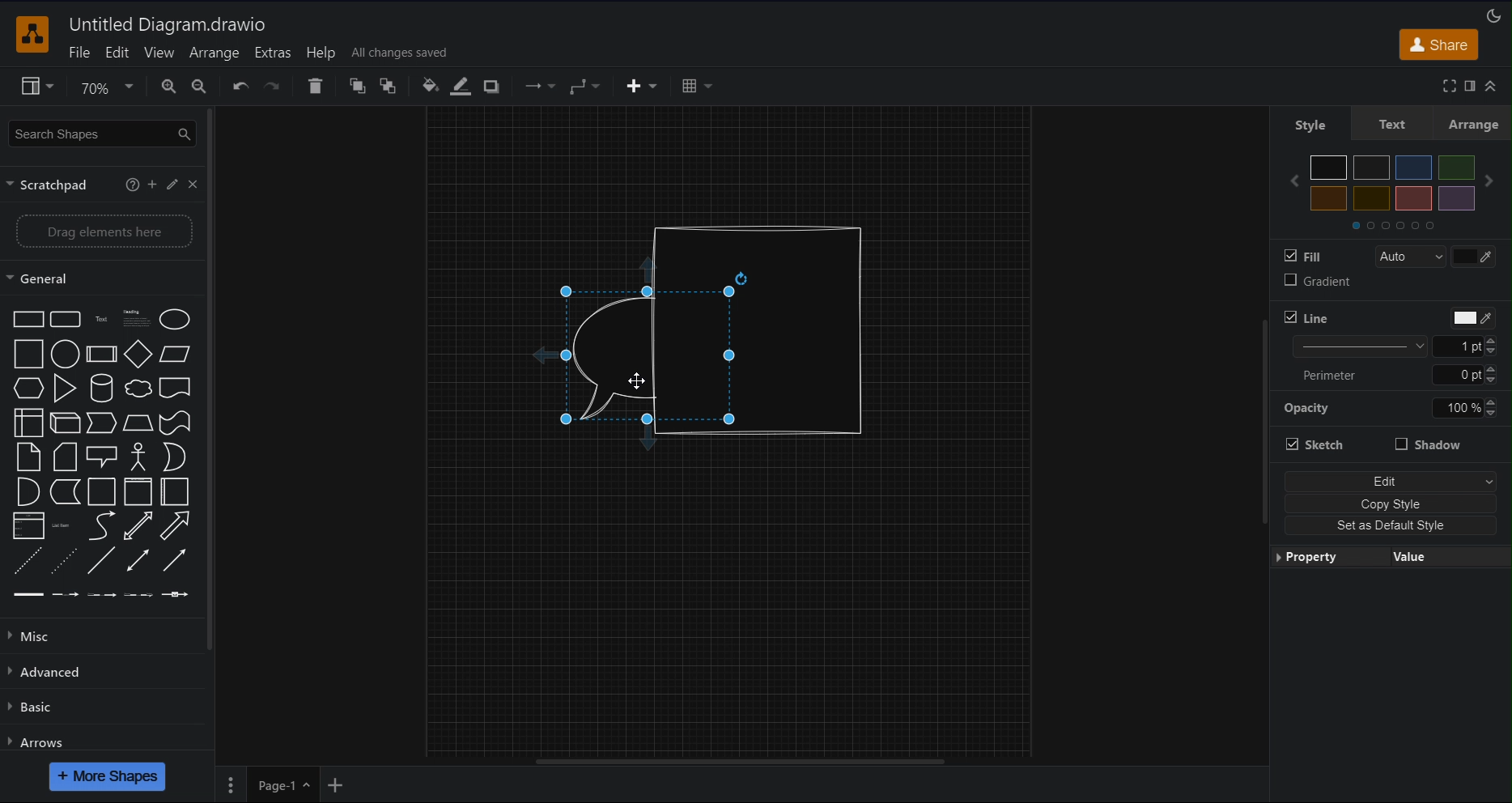 The width and height of the screenshot is (1512, 803). I want to click on Fill, so click(1302, 256).